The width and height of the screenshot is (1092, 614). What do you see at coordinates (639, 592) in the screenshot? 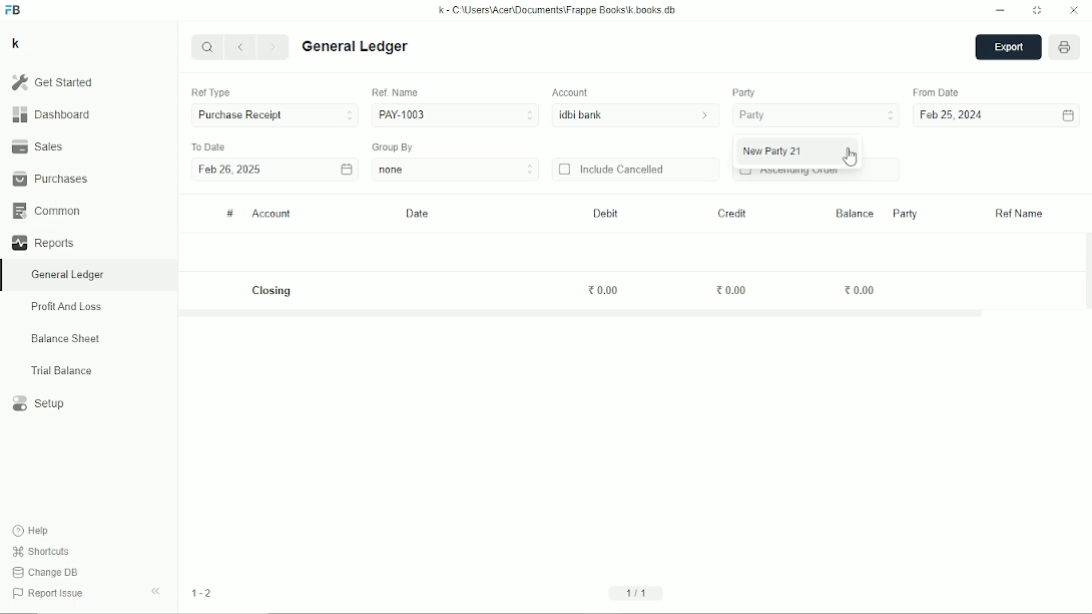
I see `1/1` at bounding box center [639, 592].